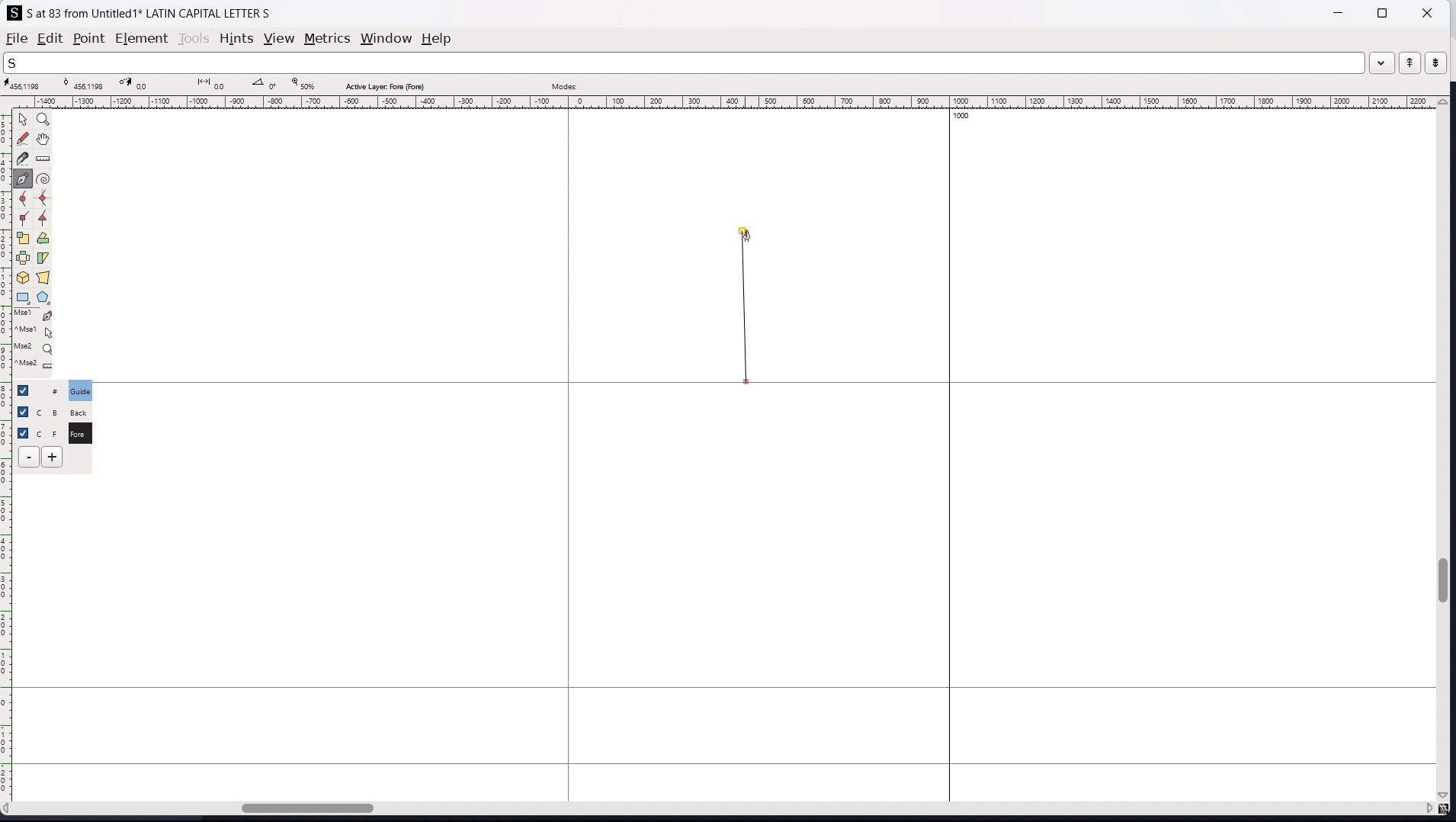  What do you see at coordinates (746, 306) in the screenshot?
I see `drawing updated` at bounding box center [746, 306].